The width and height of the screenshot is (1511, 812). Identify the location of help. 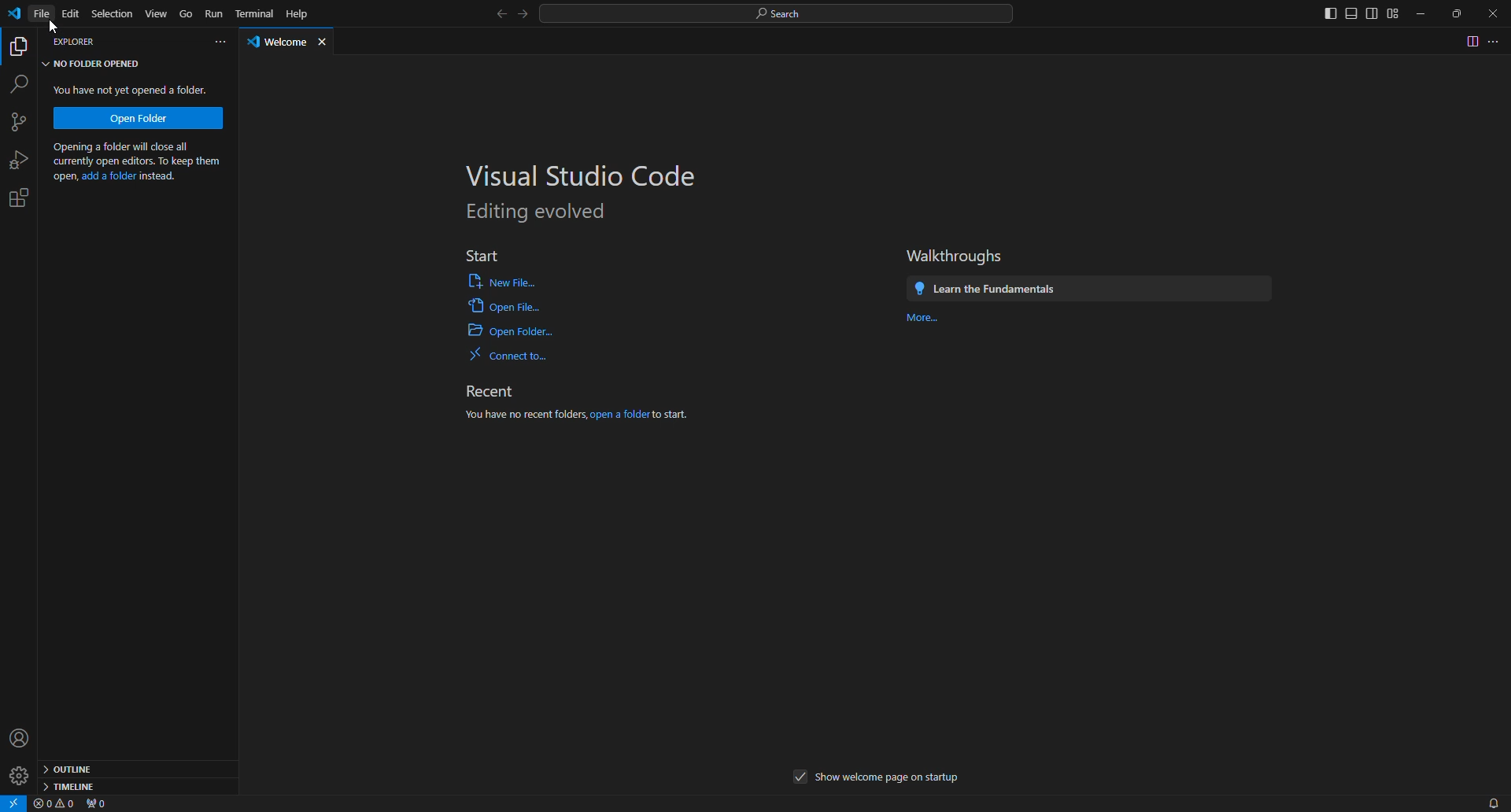
(298, 13).